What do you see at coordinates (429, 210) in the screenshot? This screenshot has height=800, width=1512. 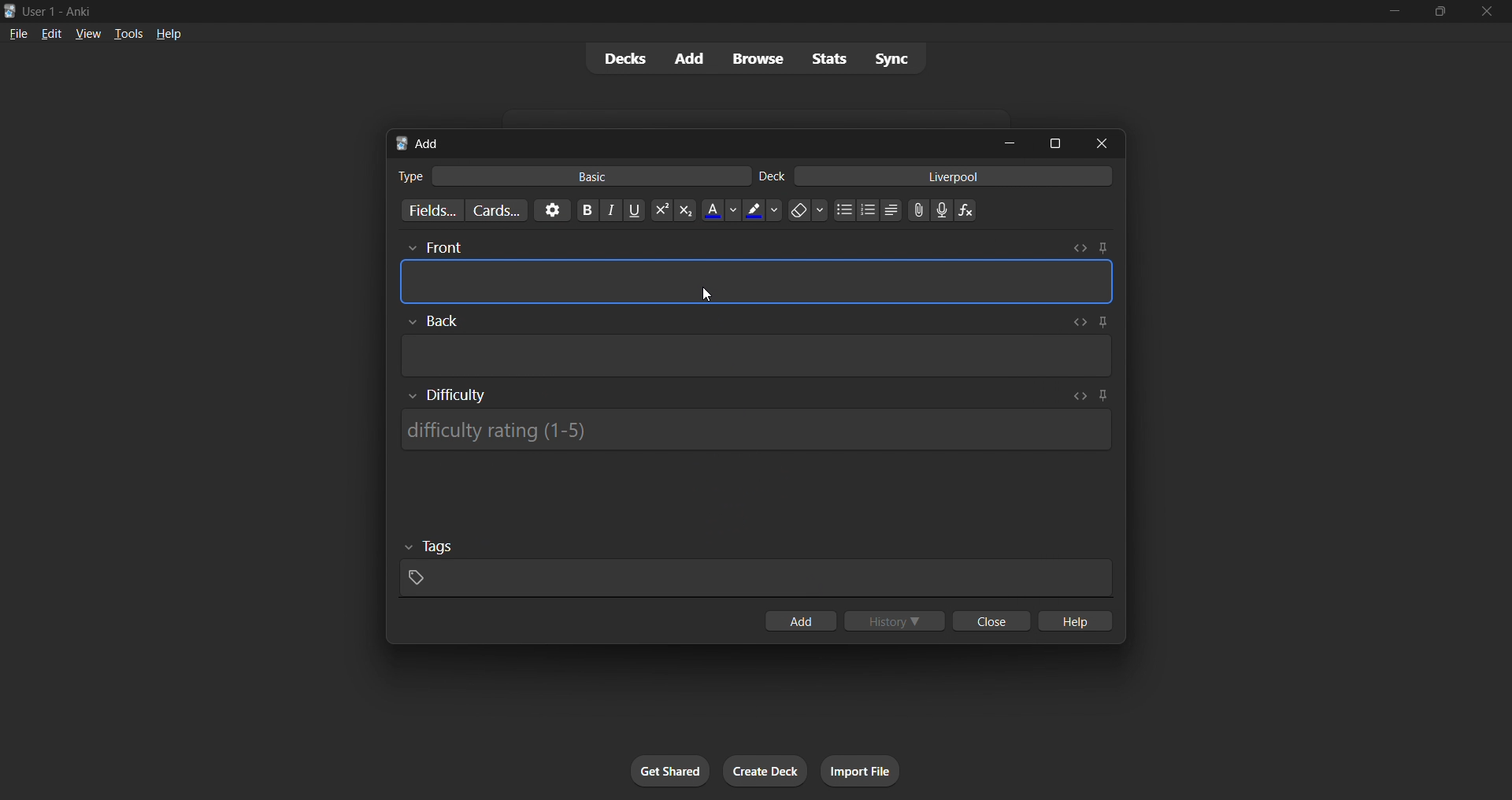 I see `customize fields` at bounding box center [429, 210].